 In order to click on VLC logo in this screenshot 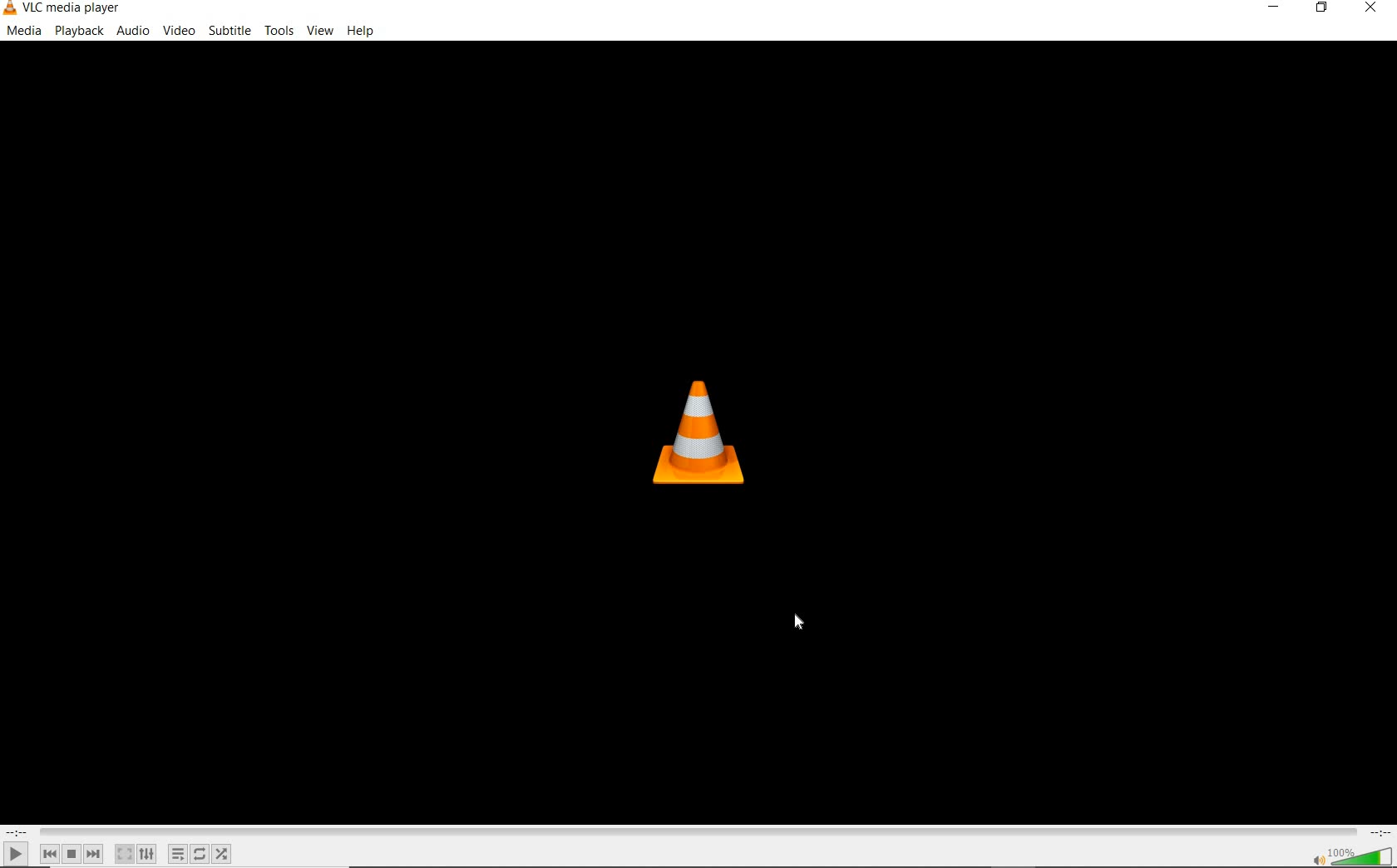, I will do `click(694, 431)`.